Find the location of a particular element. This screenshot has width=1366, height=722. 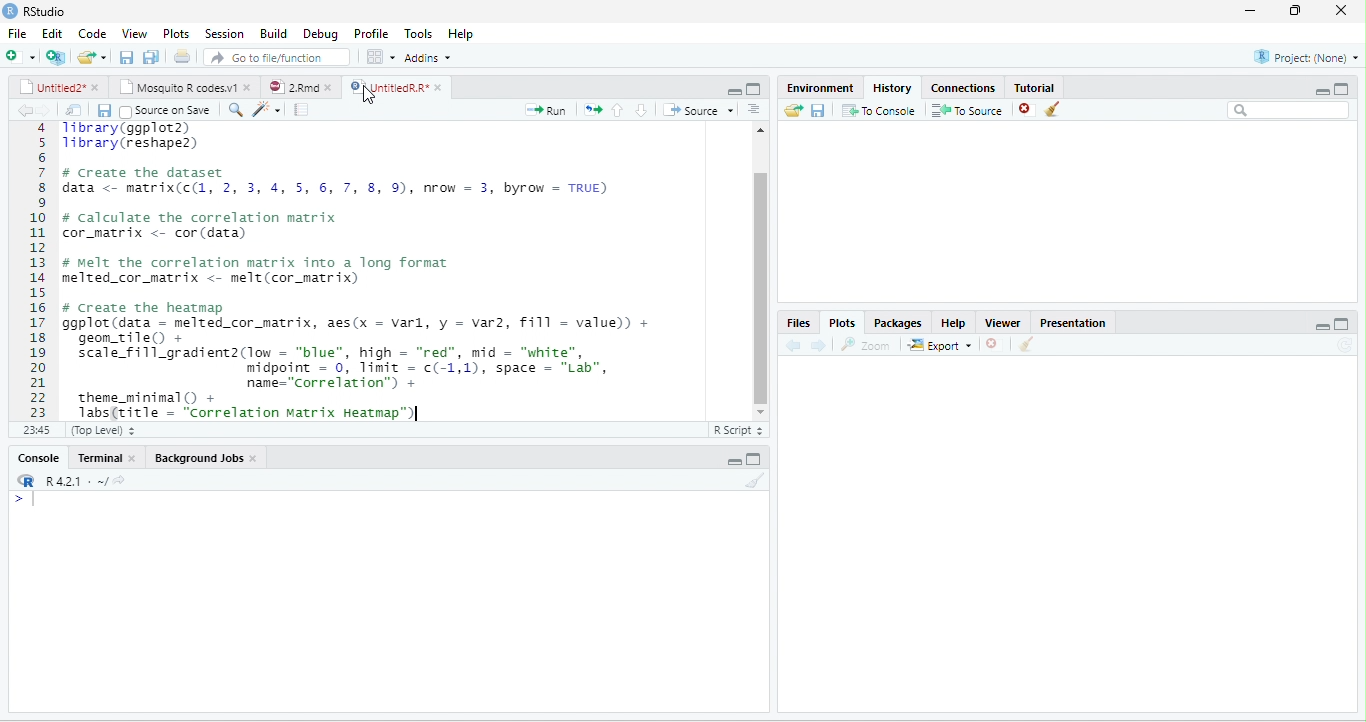

arrows is located at coordinates (592, 111).